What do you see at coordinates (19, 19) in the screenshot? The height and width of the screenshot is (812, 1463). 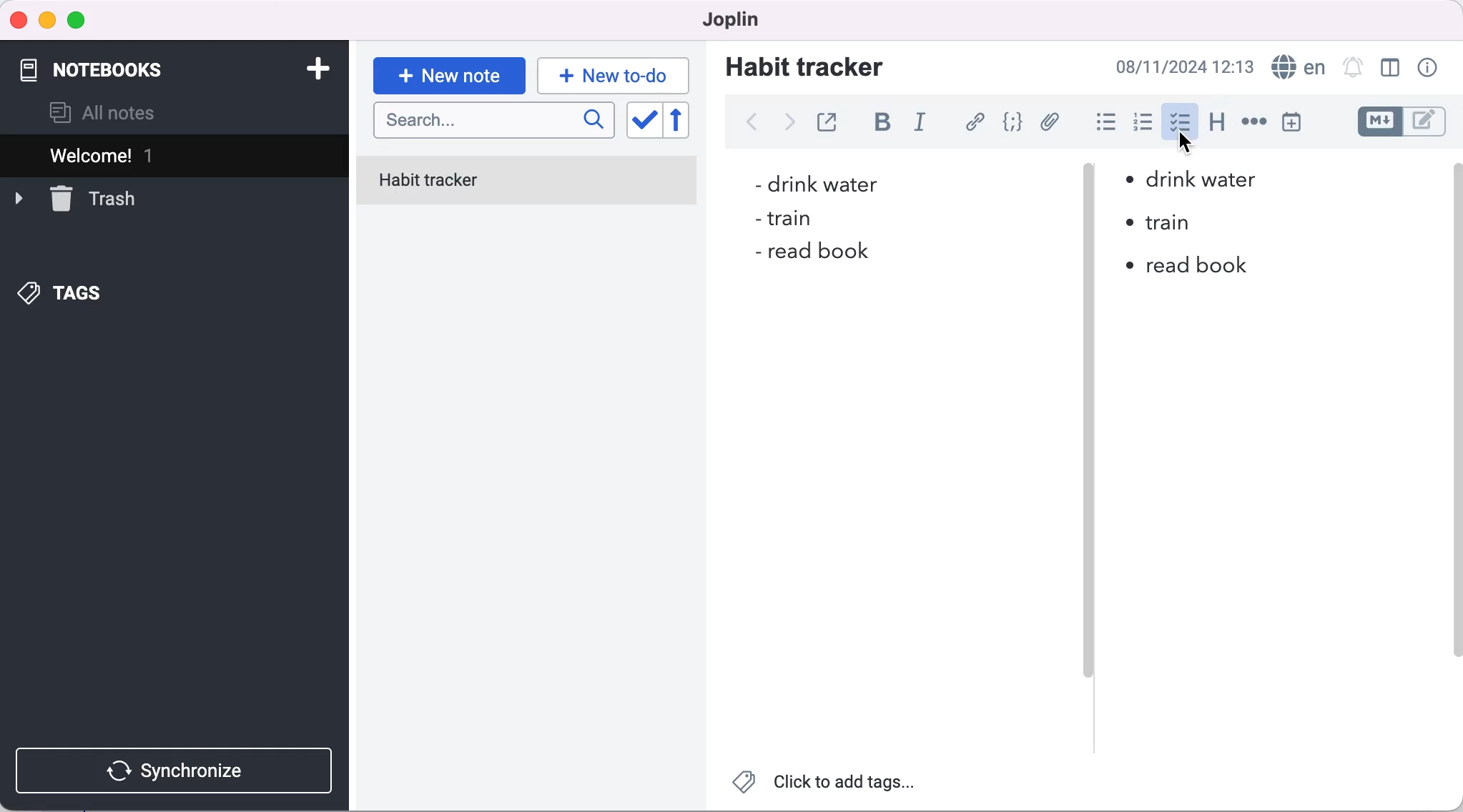 I see `close` at bounding box center [19, 19].